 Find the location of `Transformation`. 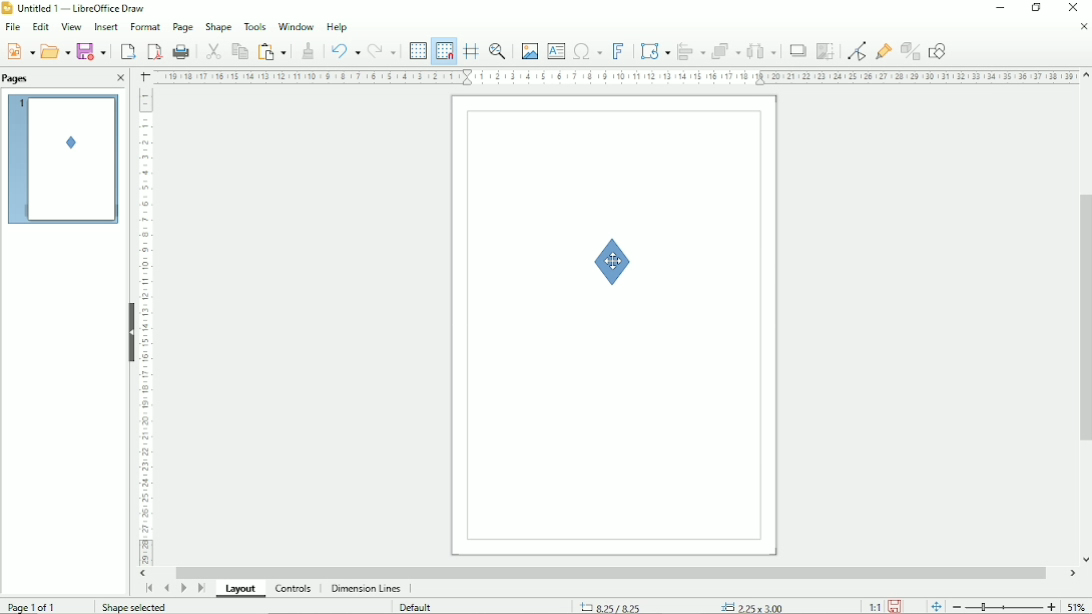

Transformation is located at coordinates (652, 50).